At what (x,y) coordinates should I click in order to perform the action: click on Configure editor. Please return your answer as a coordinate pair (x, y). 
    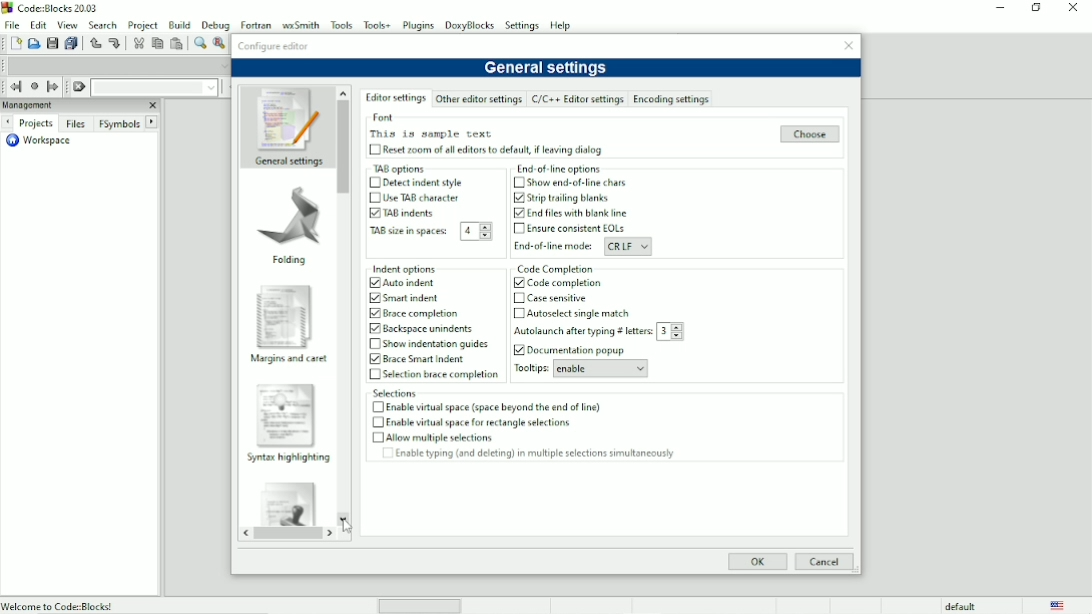
    Looking at the image, I should click on (274, 44).